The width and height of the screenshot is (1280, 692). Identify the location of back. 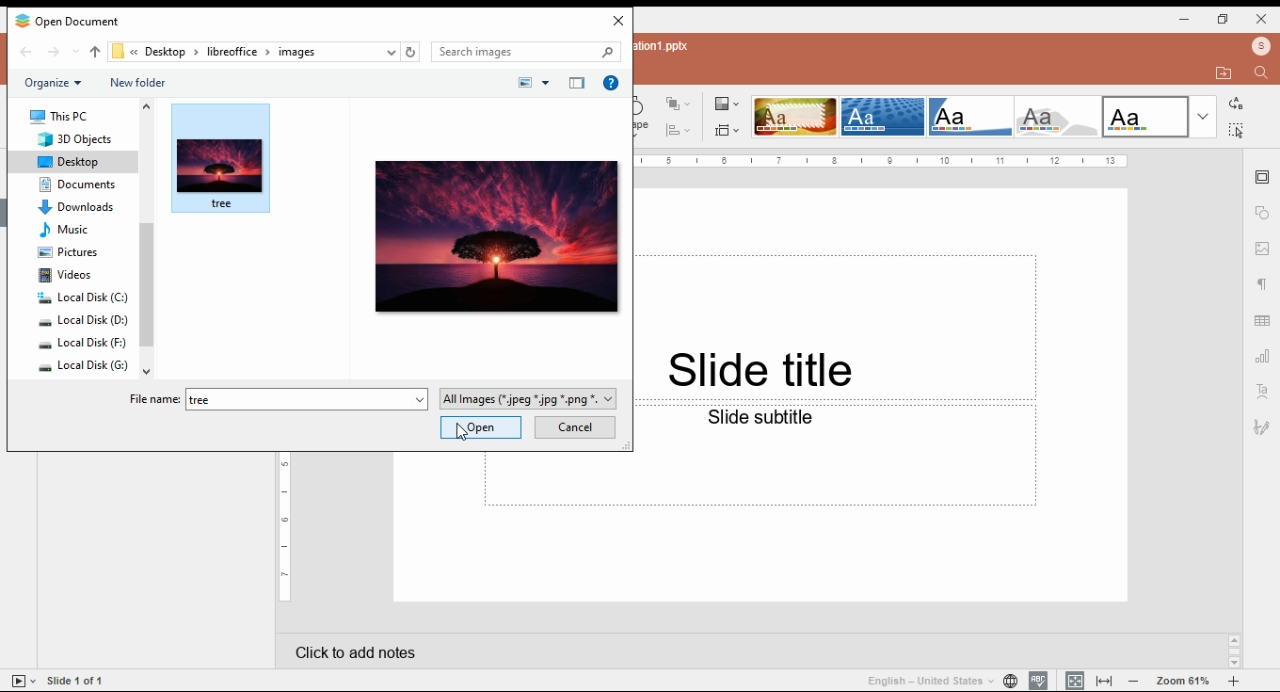
(26, 52).